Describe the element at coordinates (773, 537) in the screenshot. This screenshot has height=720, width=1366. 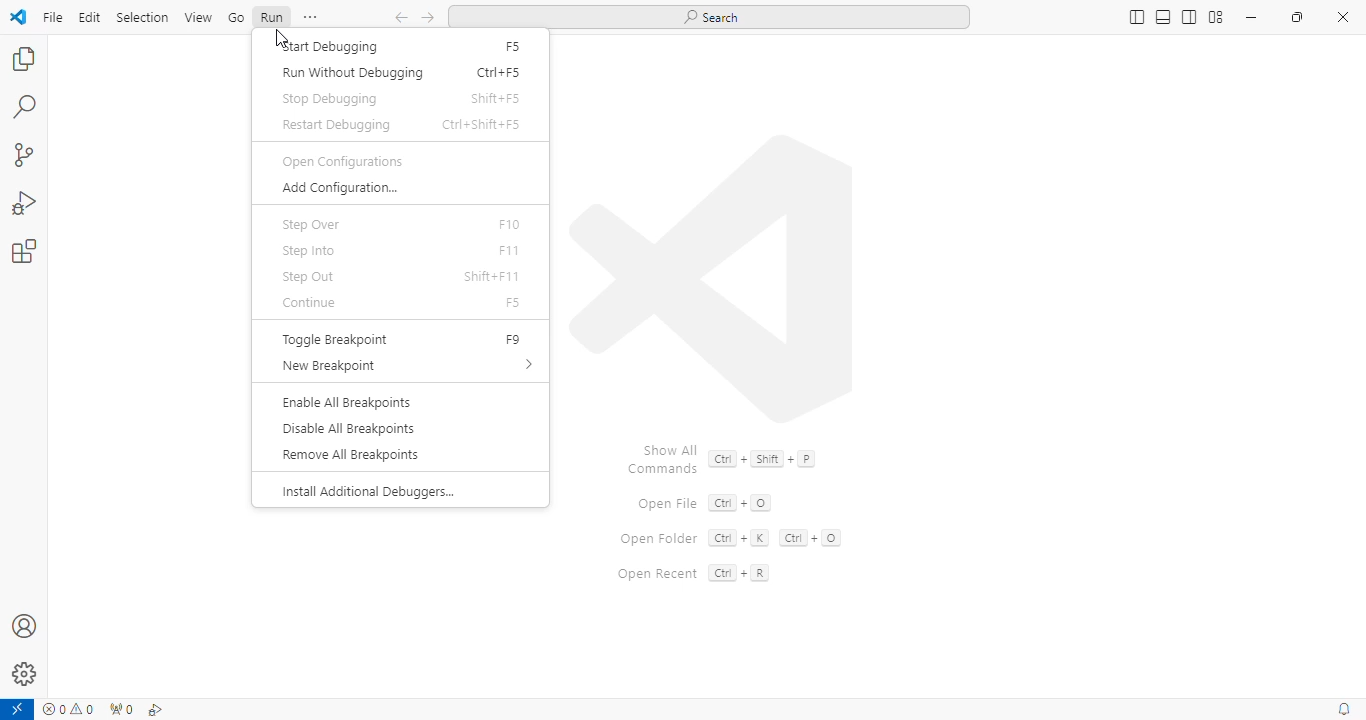
I see `Ctrl+K Ctrl+O` at that location.